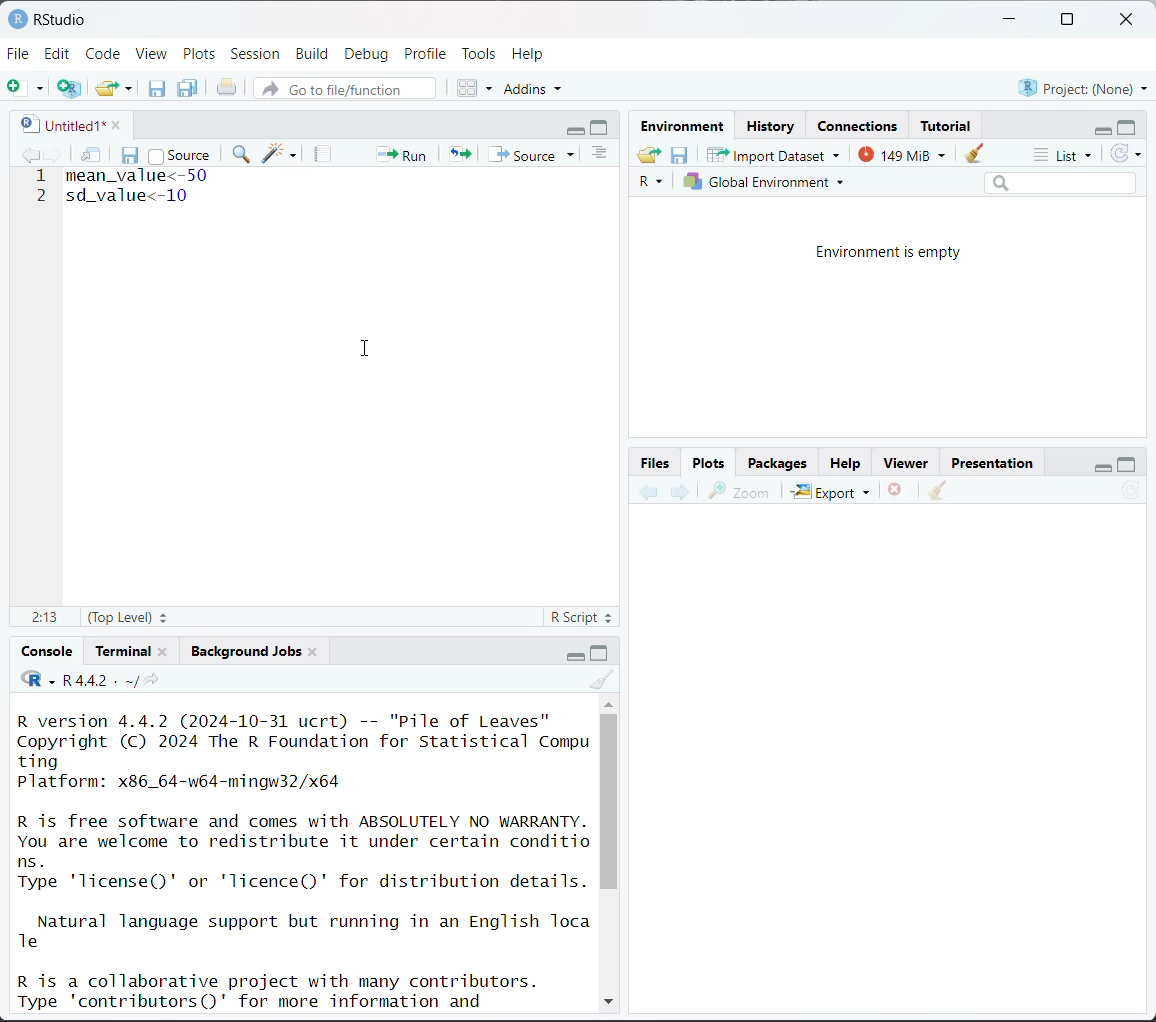 This screenshot has height=1022, width=1156. I want to click on line number, so click(43, 186).